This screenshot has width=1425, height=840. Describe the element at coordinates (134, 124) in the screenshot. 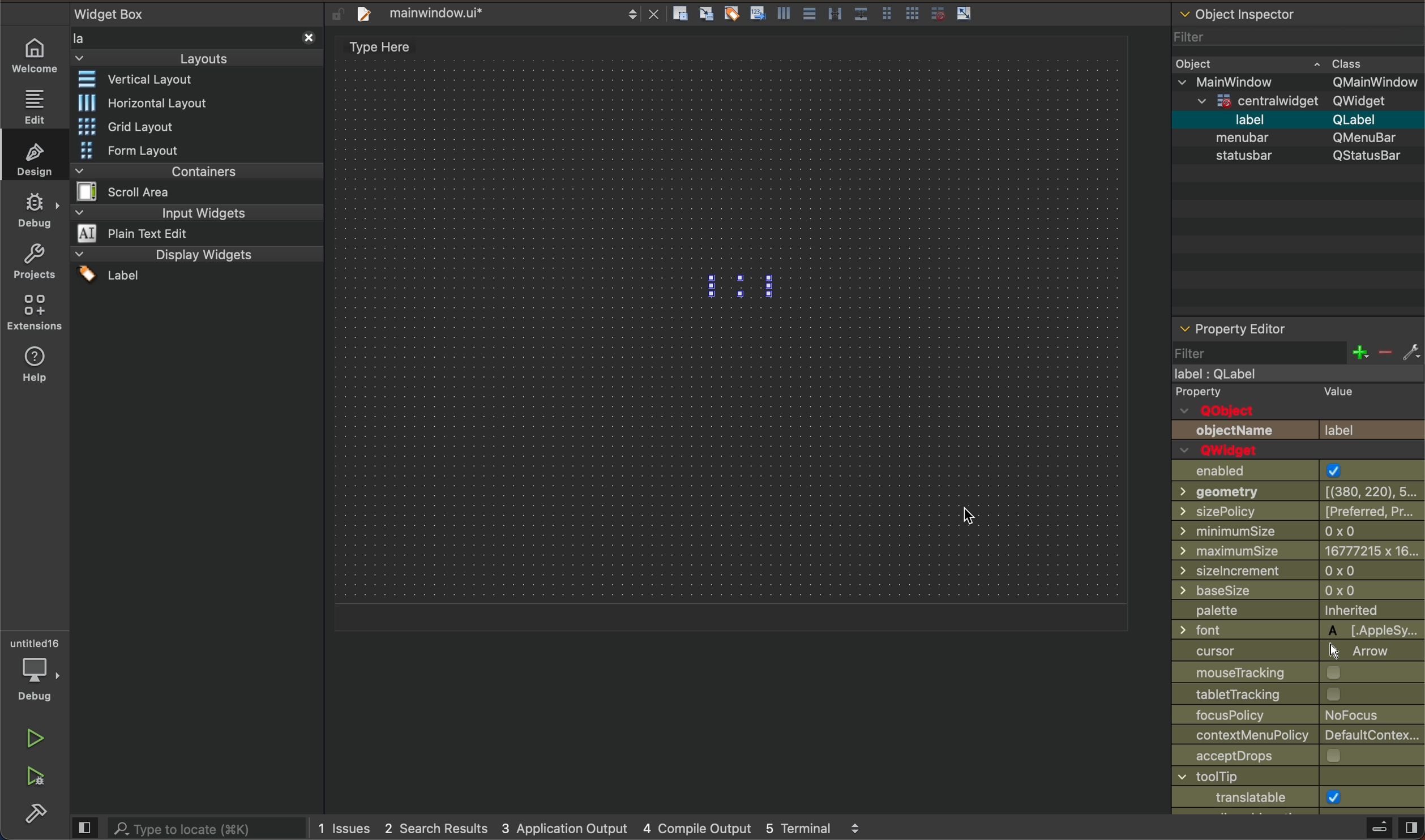

I see `grid layout` at that location.